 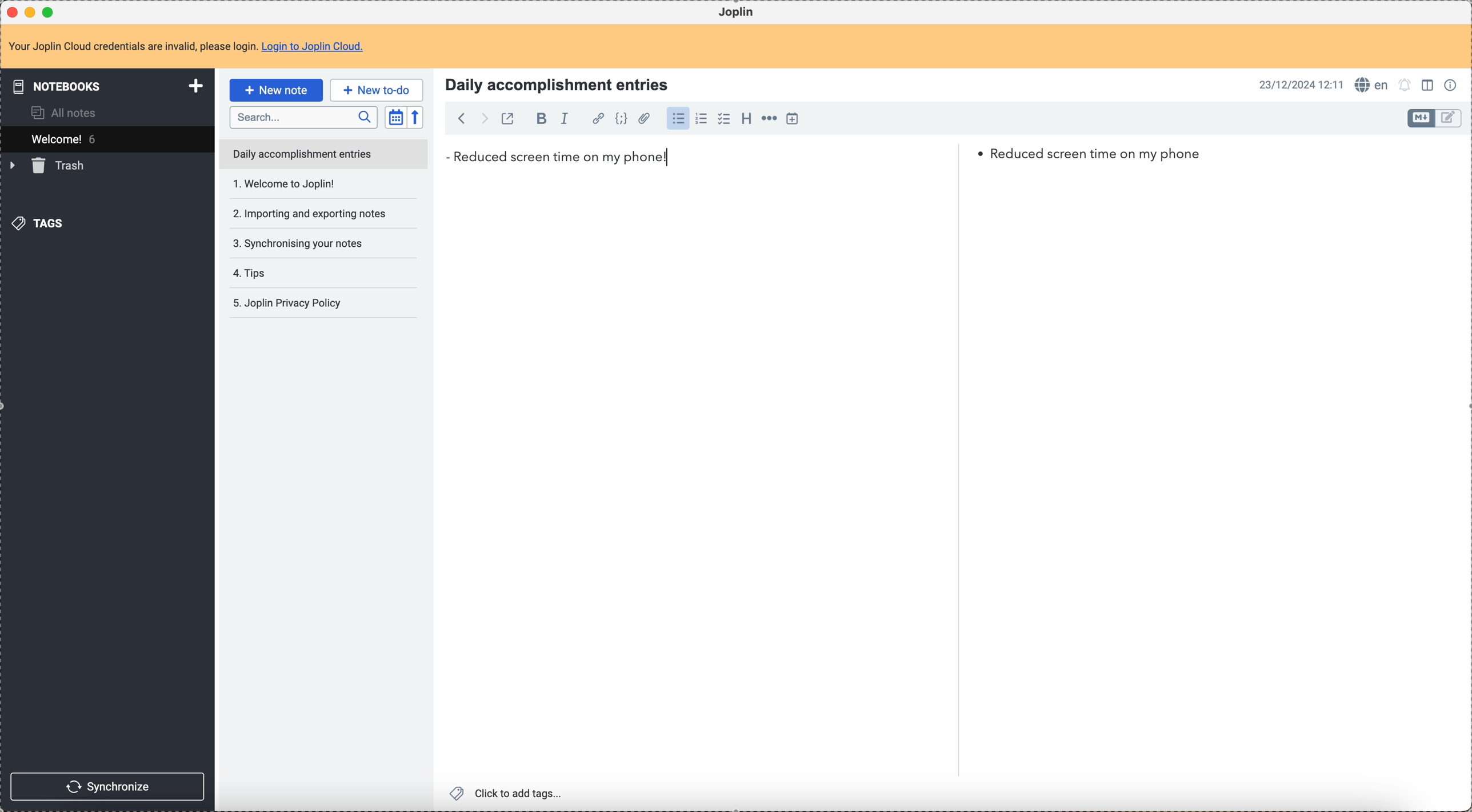 I want to click on toggle external editing, so click(x=508, y=118).